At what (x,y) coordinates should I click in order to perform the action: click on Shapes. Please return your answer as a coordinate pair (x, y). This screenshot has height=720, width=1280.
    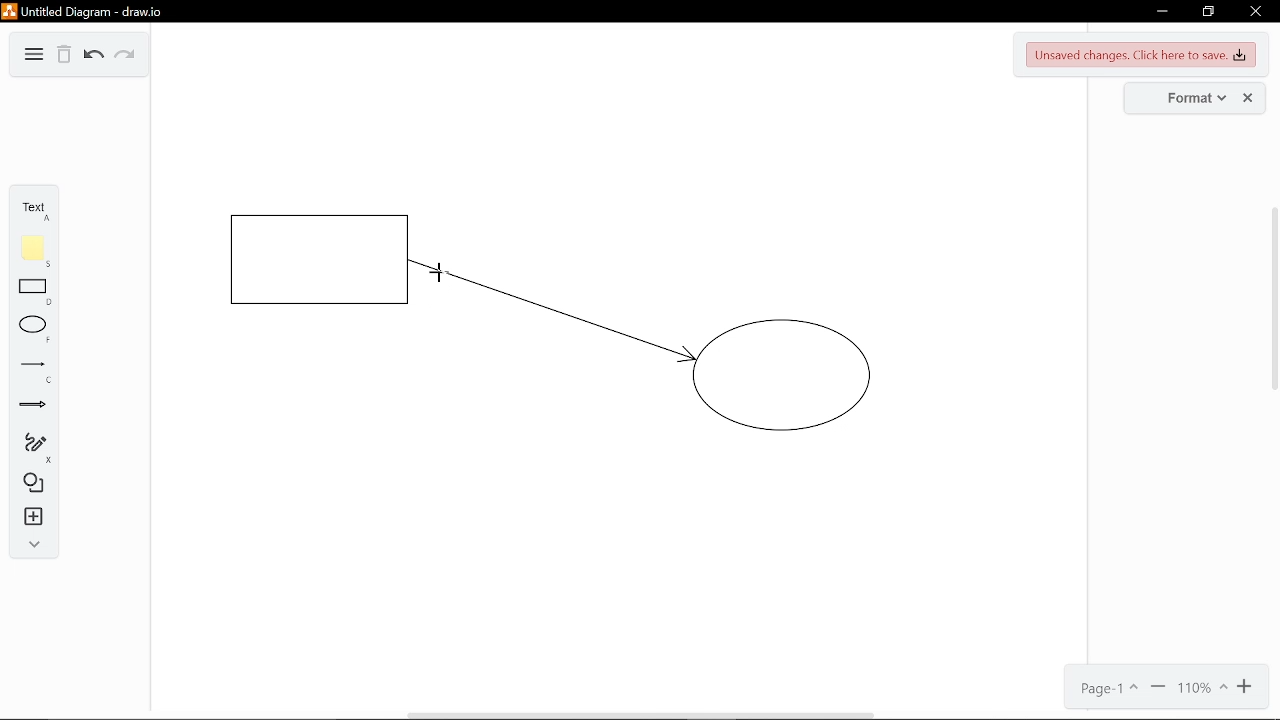
    Looking at the image, I should click on (33, 486).